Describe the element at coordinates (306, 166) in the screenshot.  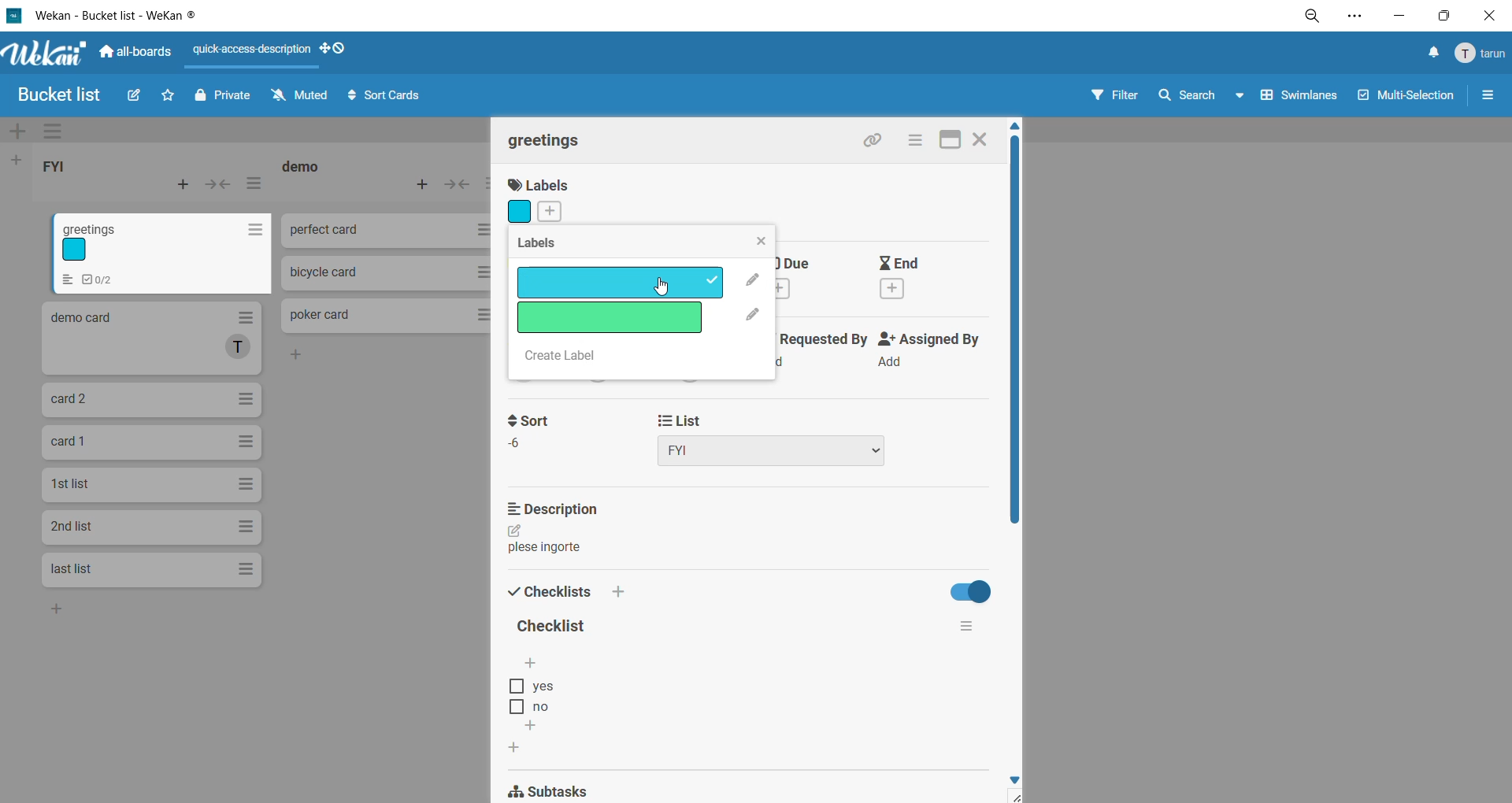
I see `list title` at that location.